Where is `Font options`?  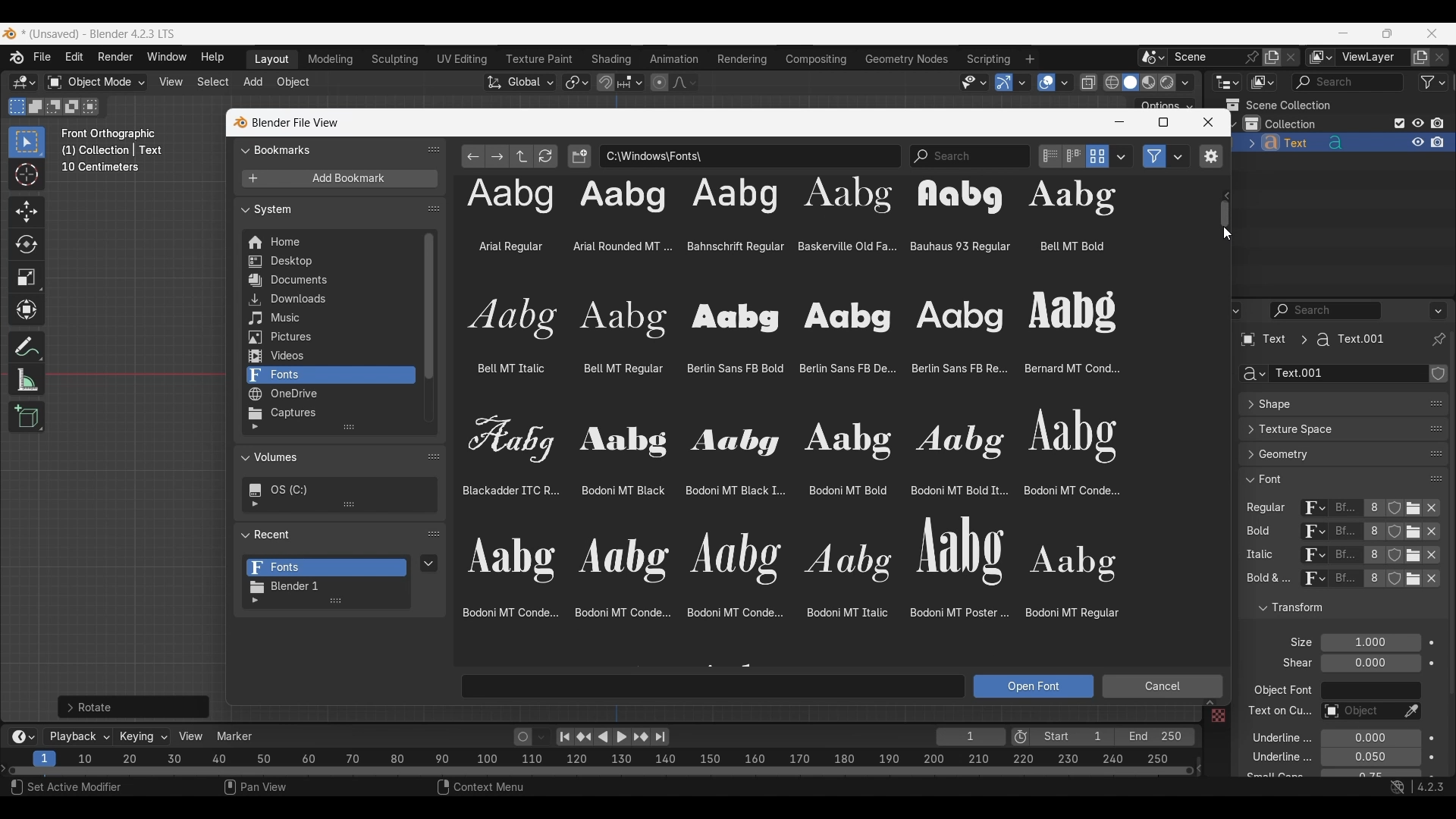
Font options is located at coordinates (784, 410).